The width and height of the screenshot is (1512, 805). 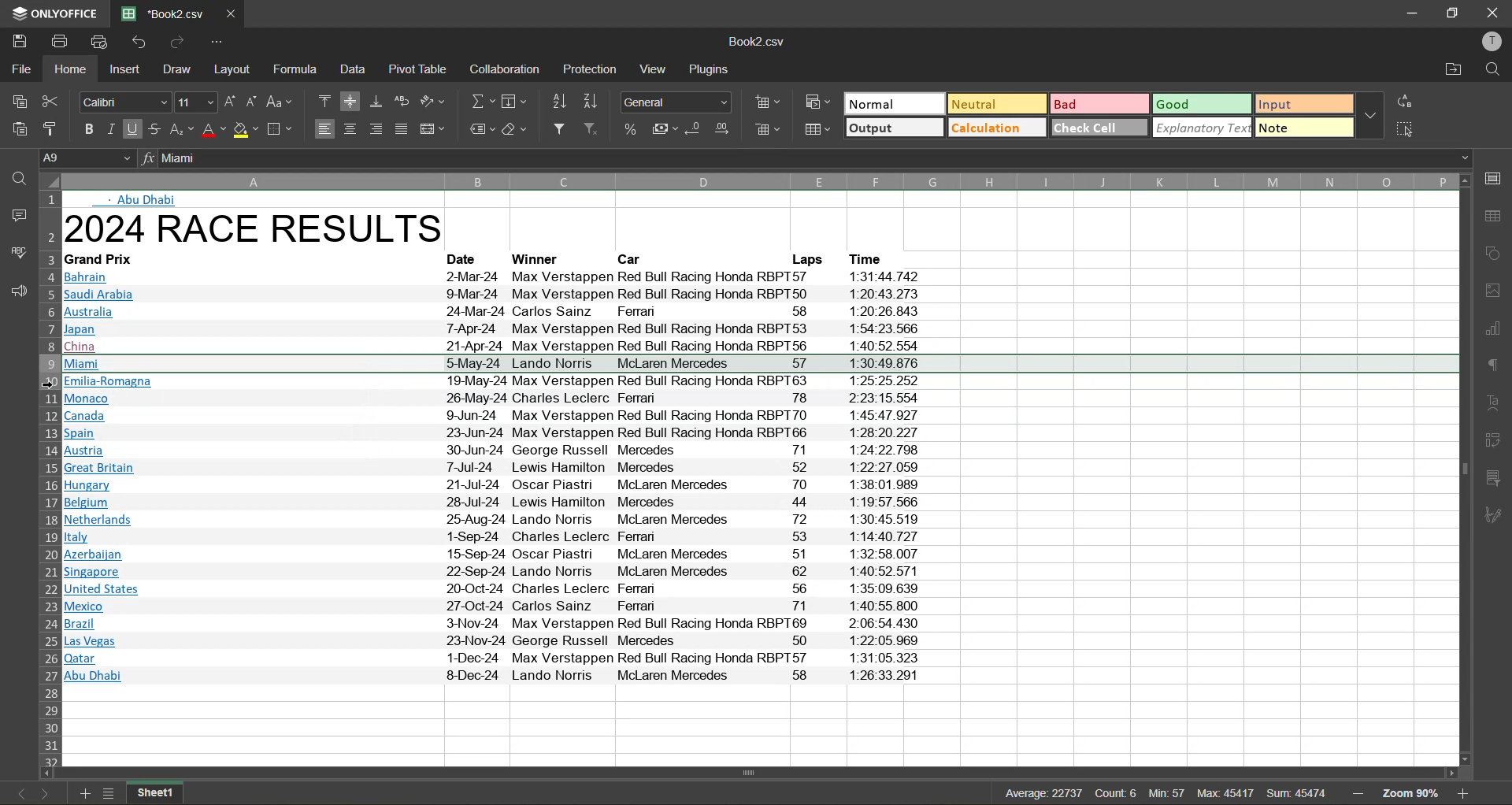 I want to click on columns, so click(x=760, y=179).